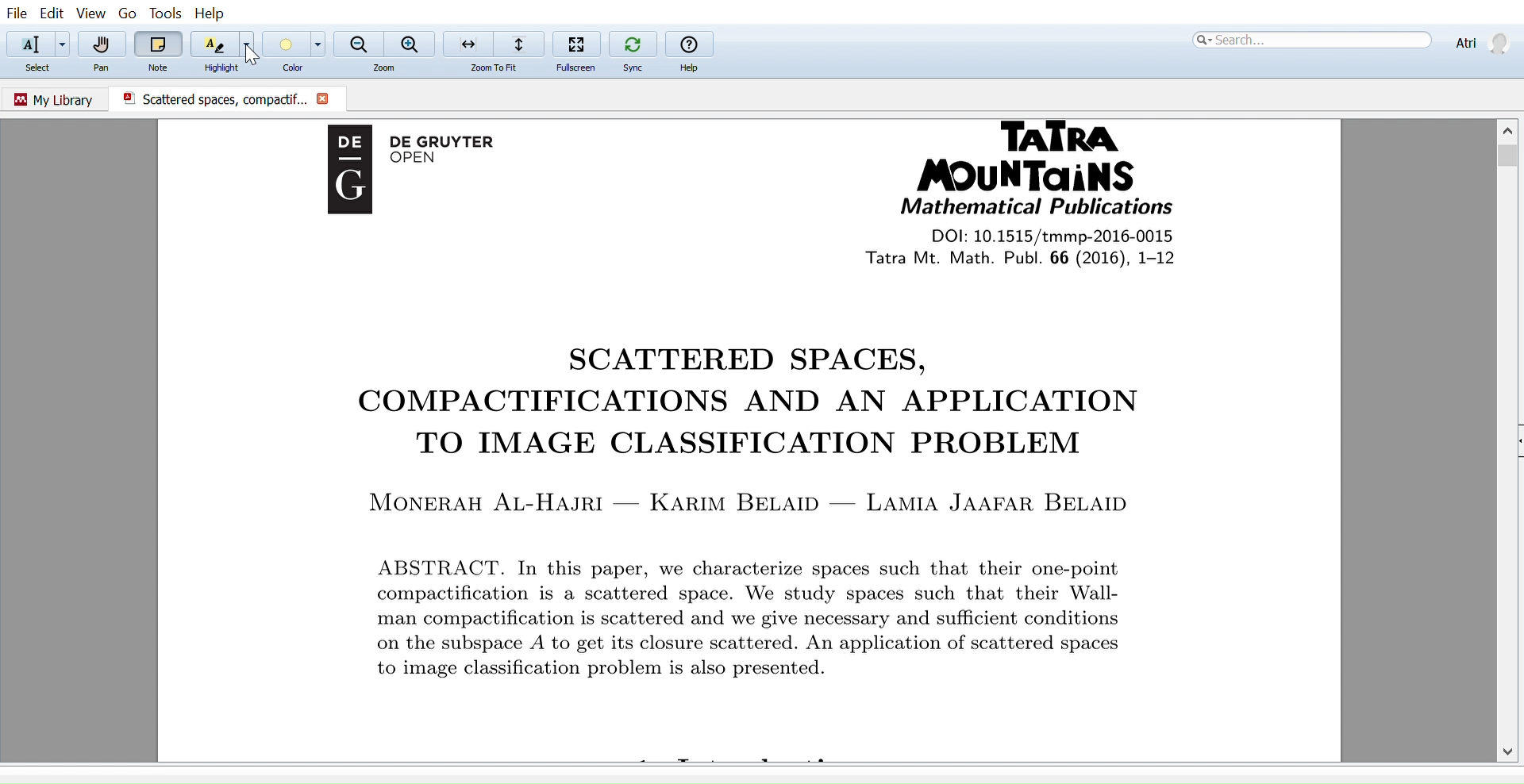 The image size is (1524, 784). Describe the element at coordinates (324, 100) in the screenshot. I see `Close current document` at that location.